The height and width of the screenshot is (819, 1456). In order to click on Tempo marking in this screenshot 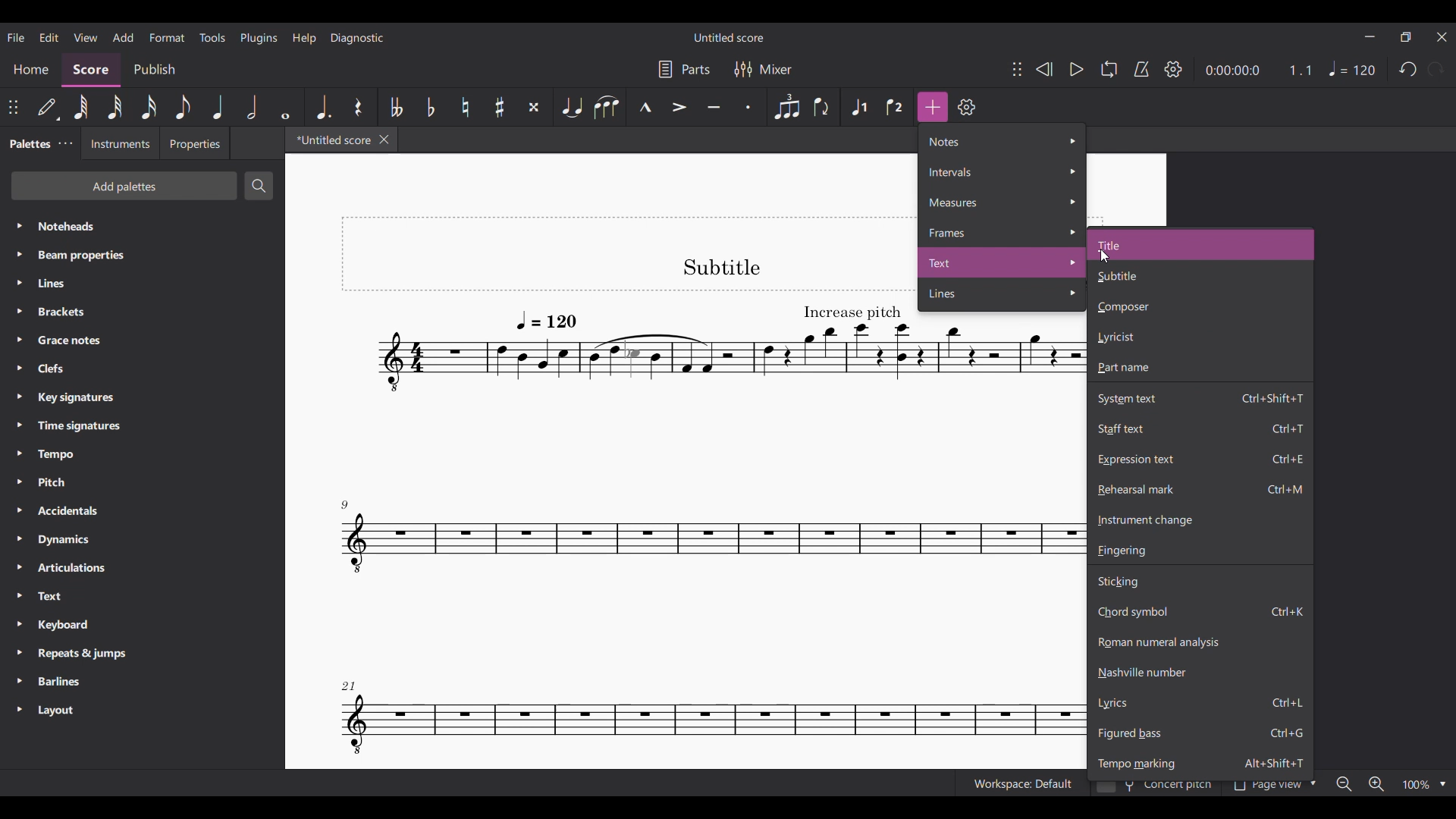, I will do `click(1200, 762)`.